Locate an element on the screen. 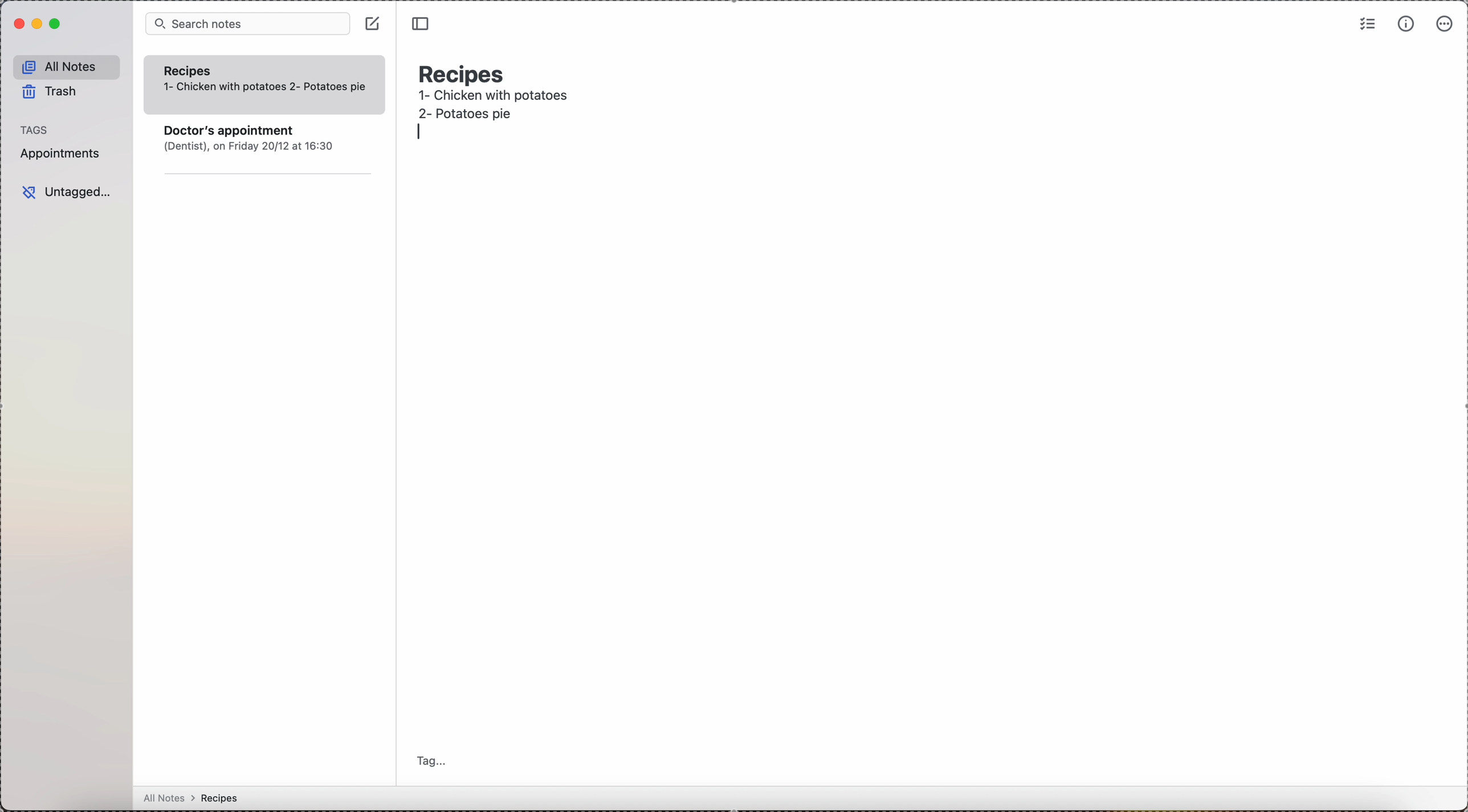  1- Chicken with potatoes is located at coordinates (223, 87).